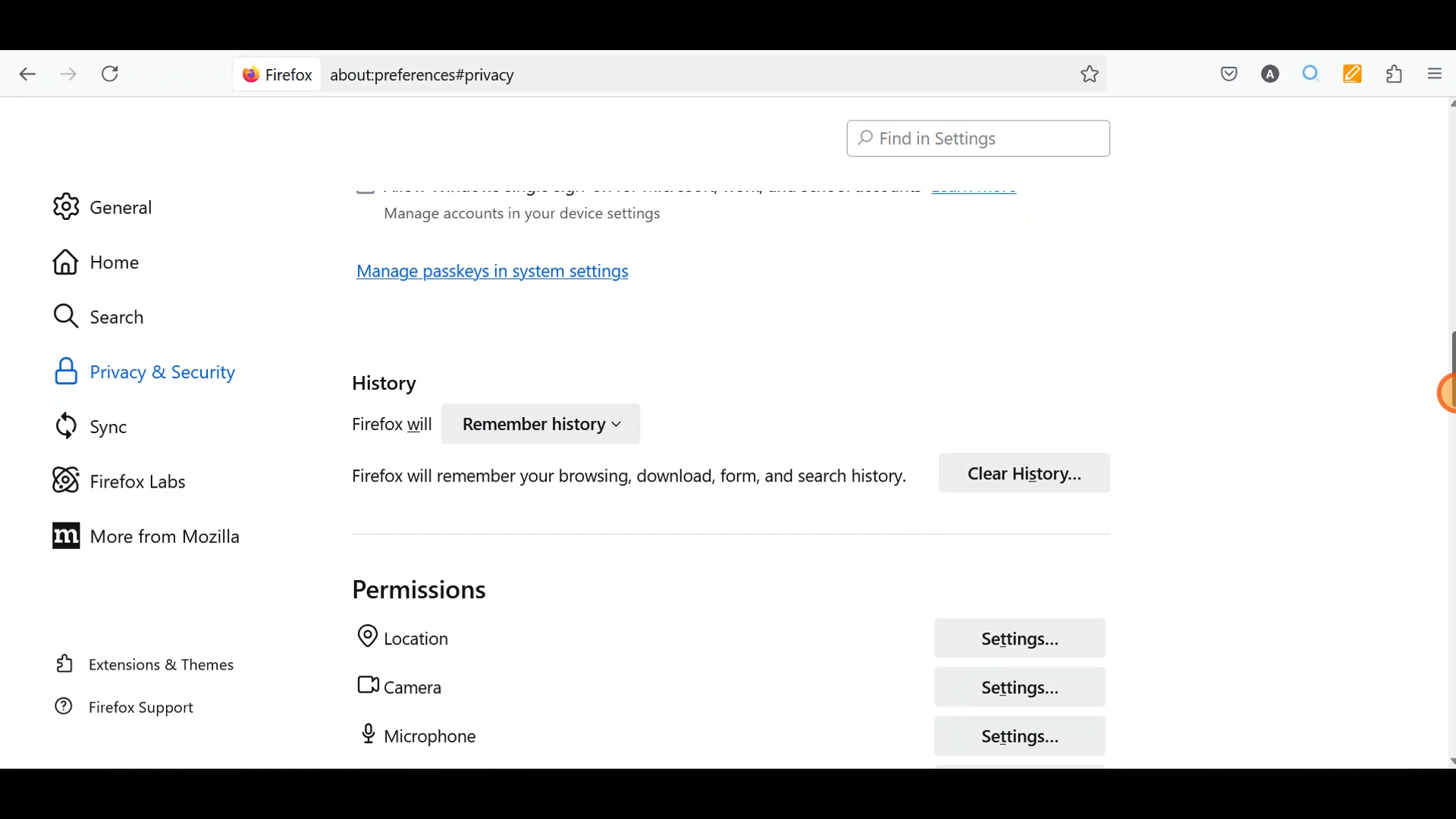 This screenshot has height=819, width=1456. What do you see at coordinates (1348, 76) in the screenshot?
I see `Multi keywords highlighter` at bounding box center [1348, 76].